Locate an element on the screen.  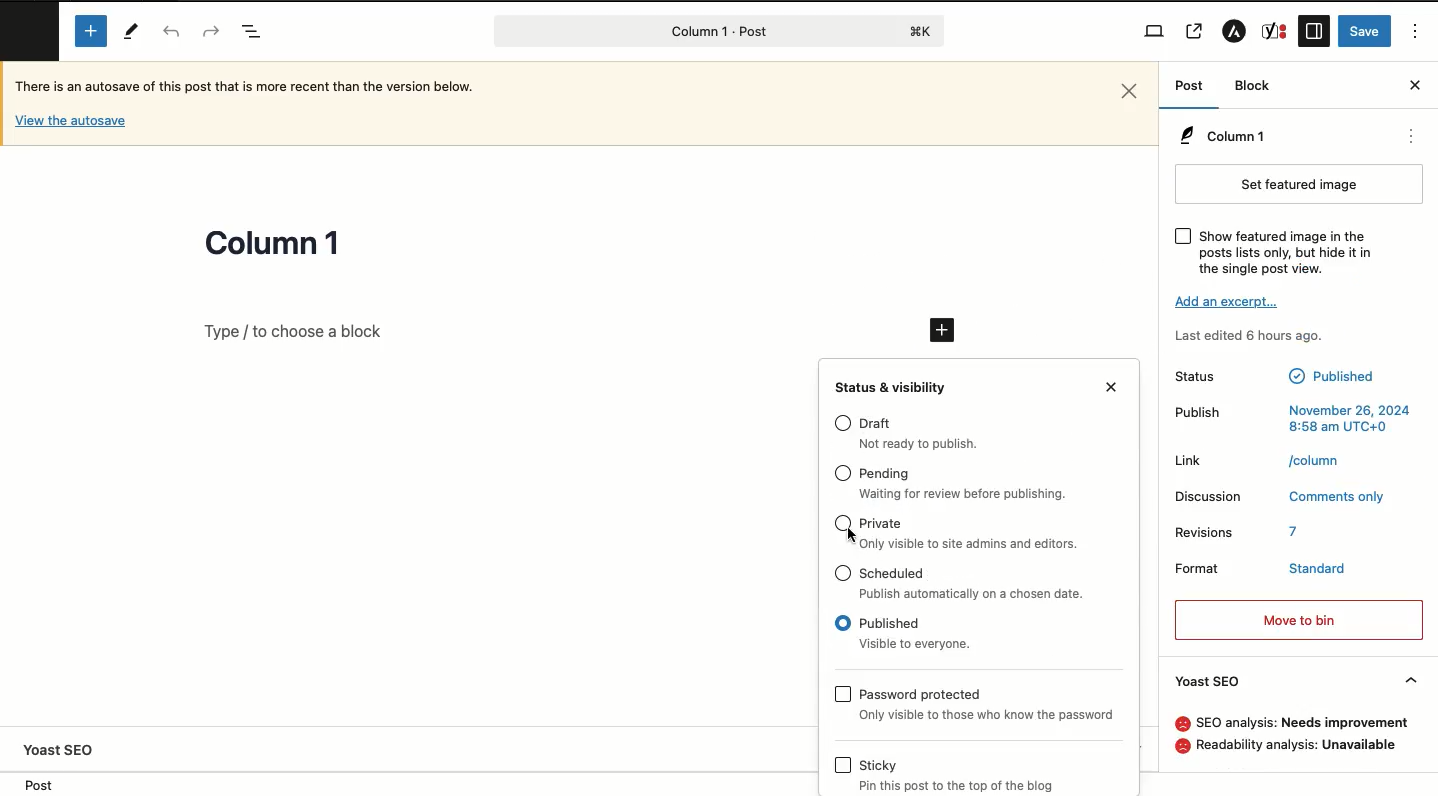
Link is located at coordinates (1193, 460).